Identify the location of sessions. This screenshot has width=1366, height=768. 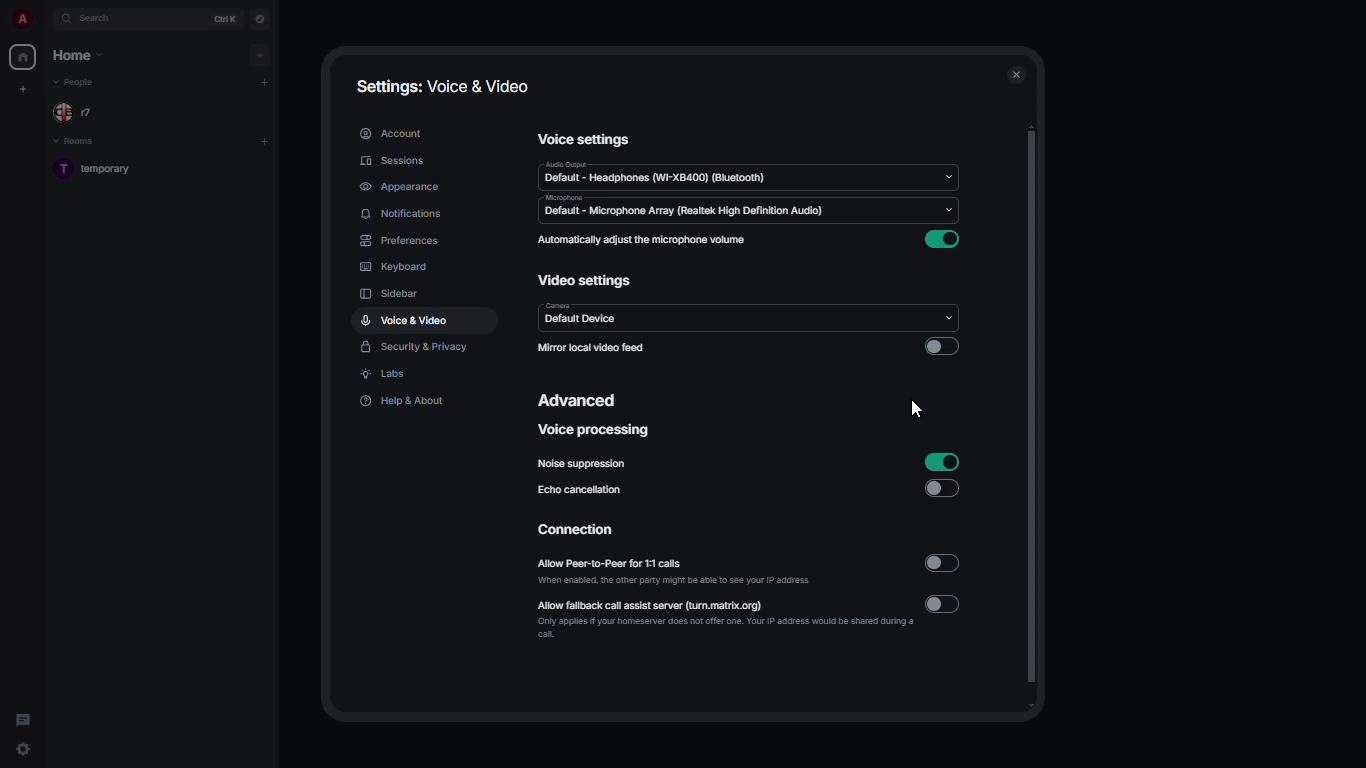
(398, 162).